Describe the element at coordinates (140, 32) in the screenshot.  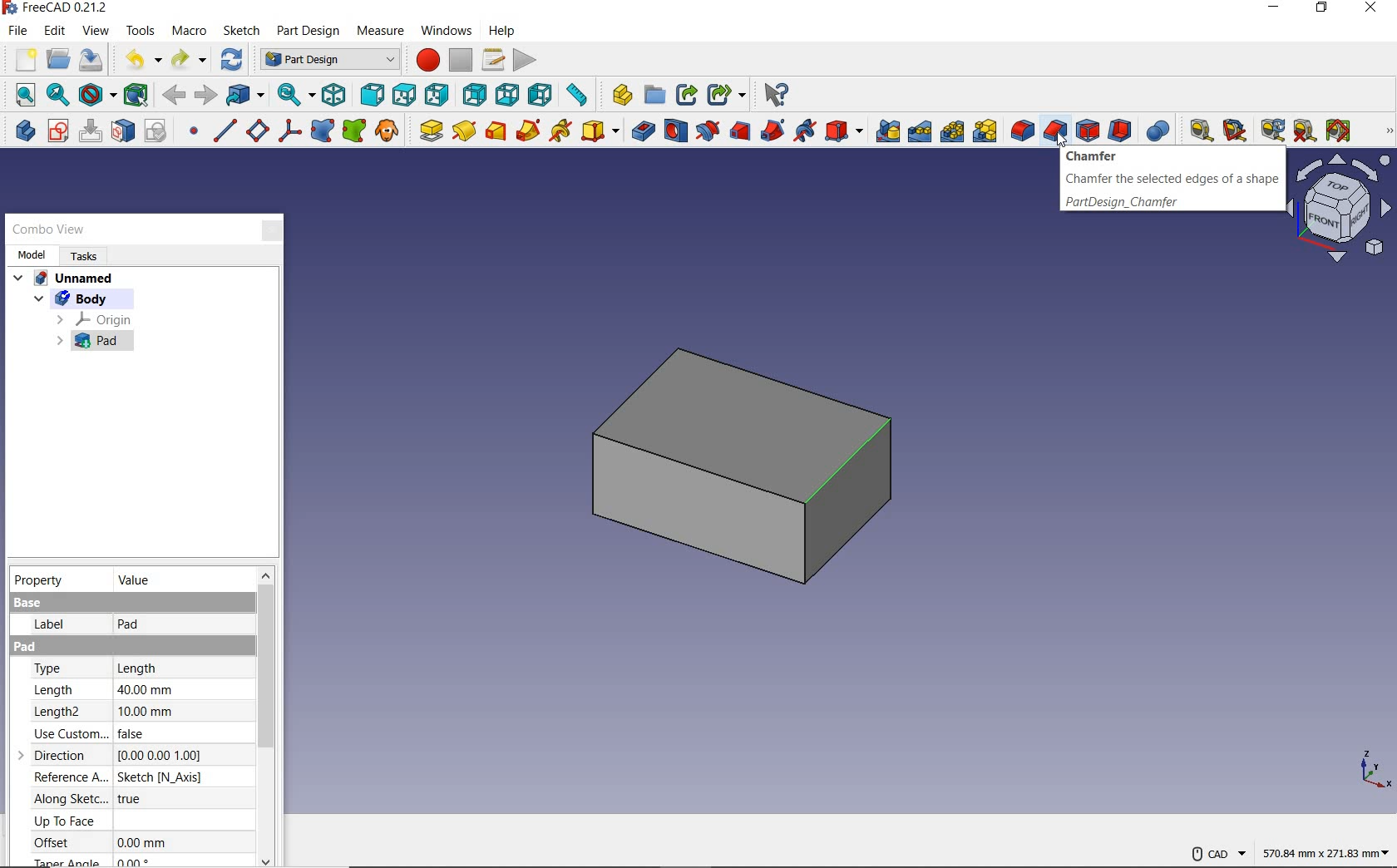
I see `tools` at that location.